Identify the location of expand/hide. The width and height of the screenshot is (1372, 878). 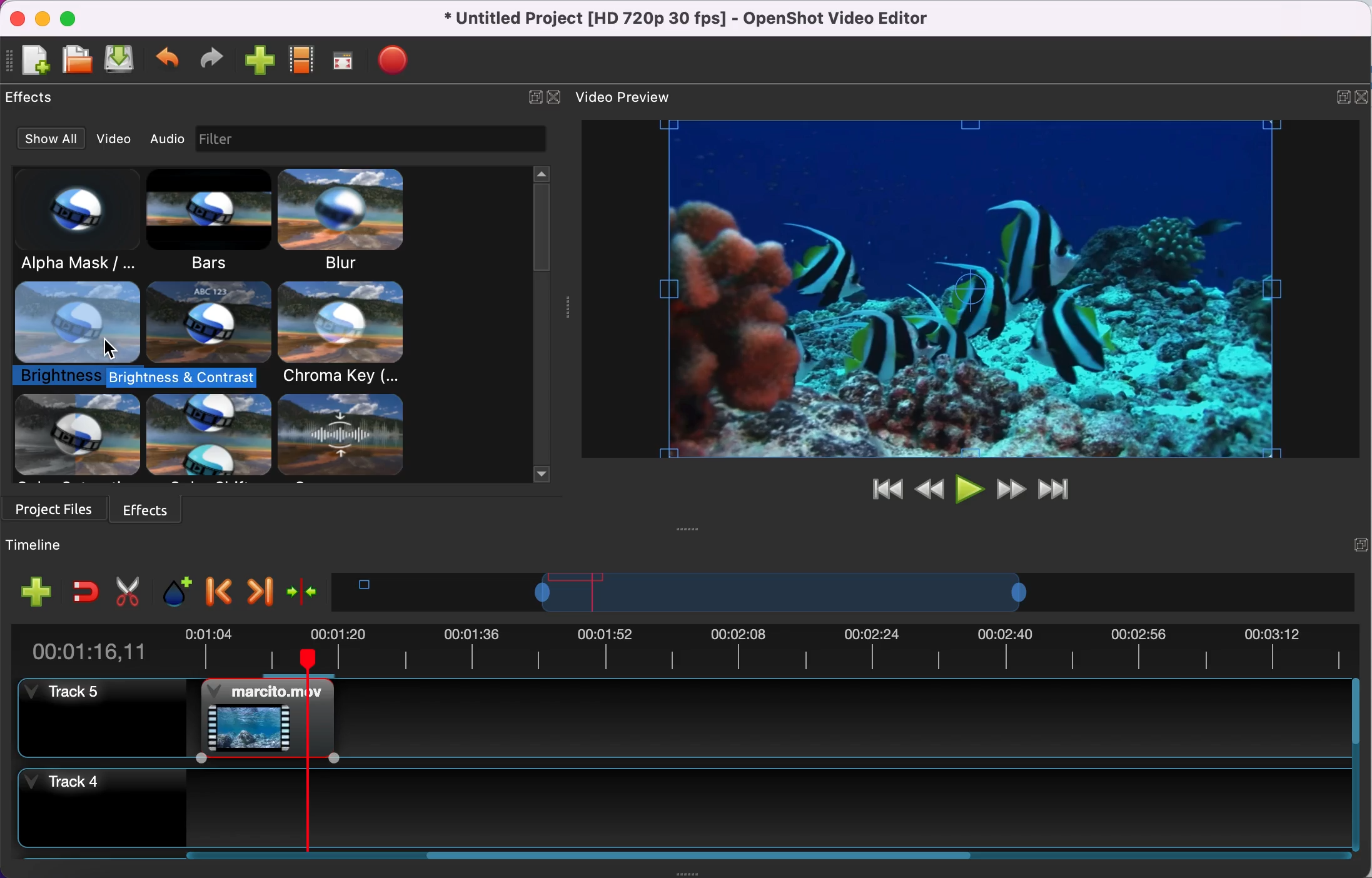
(1360, 543).